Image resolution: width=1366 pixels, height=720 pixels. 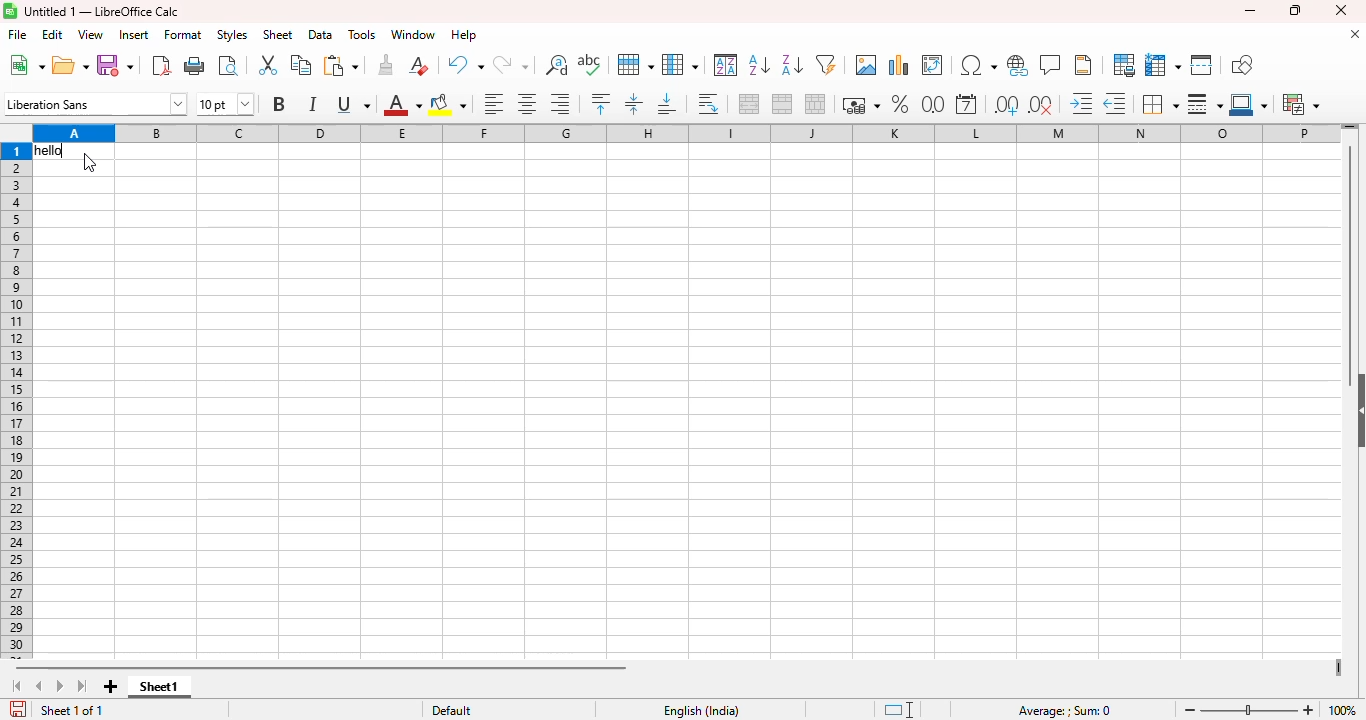 I want to click on insert special characters, so click(x=979, y=65).